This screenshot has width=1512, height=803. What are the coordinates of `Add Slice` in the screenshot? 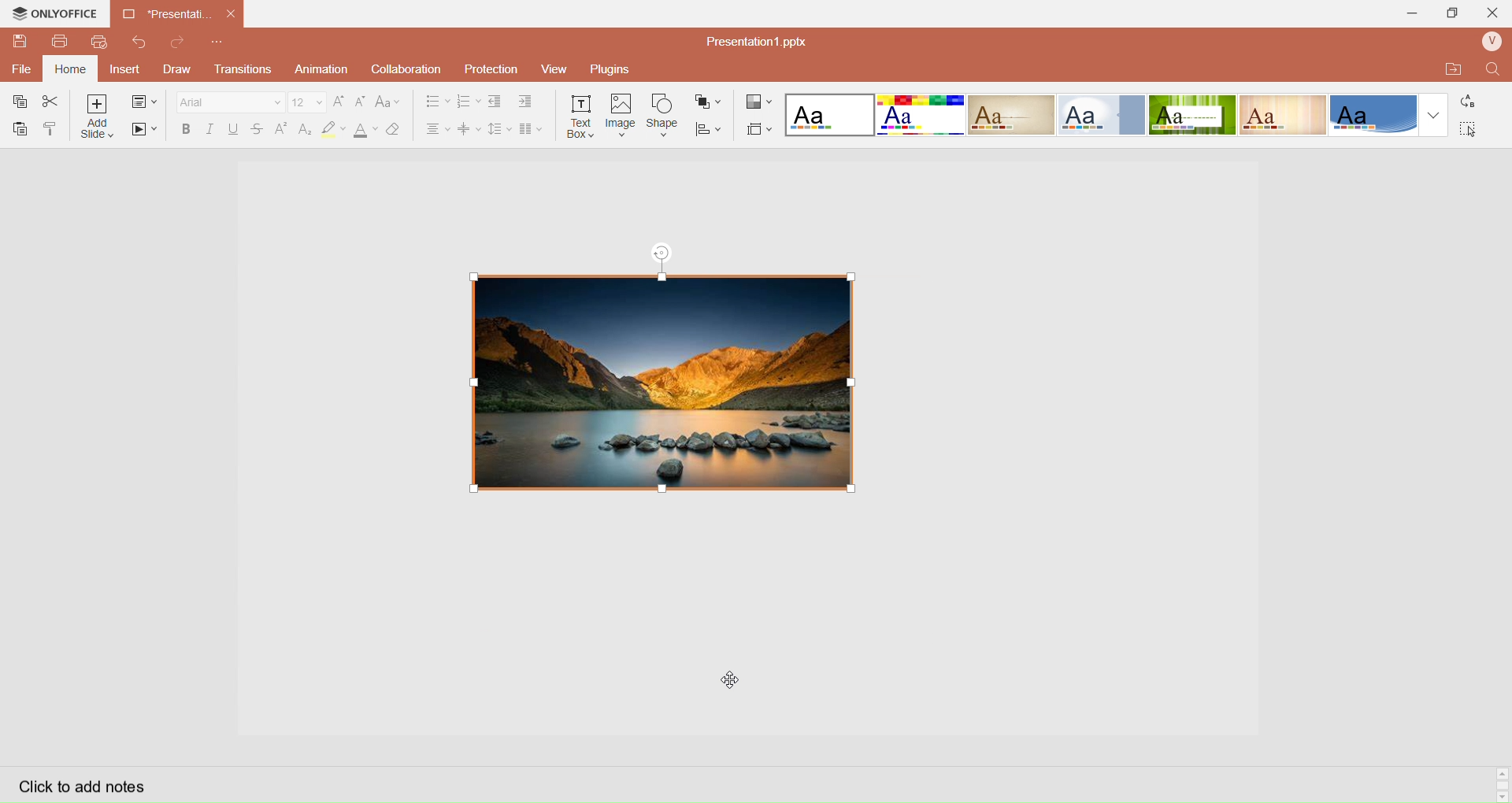 It's located at (98, 119).